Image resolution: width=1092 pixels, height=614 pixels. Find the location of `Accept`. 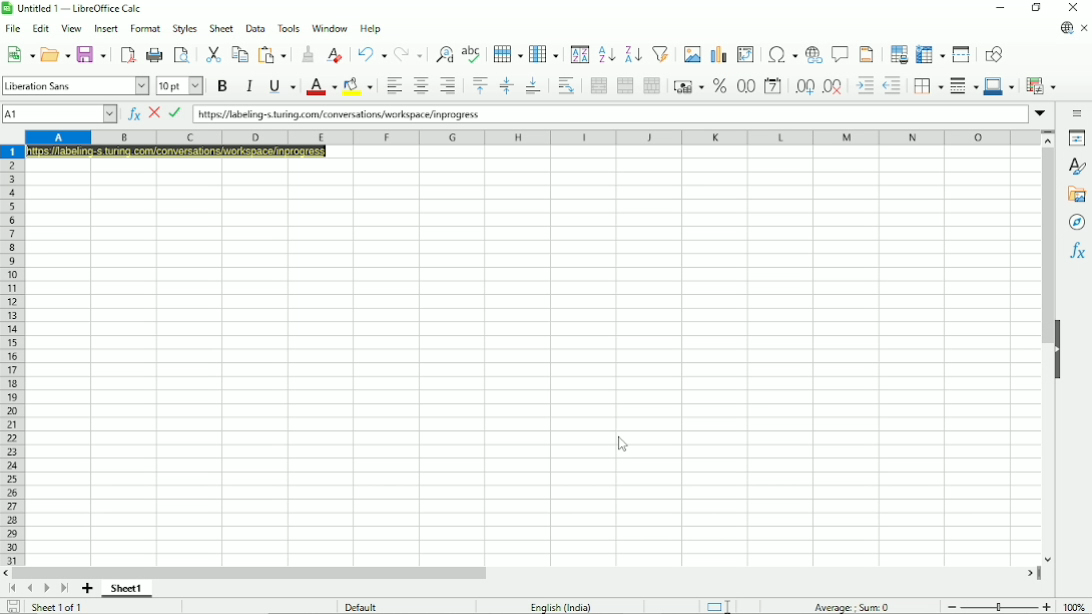

Accept is located at coordinates (176, 113).